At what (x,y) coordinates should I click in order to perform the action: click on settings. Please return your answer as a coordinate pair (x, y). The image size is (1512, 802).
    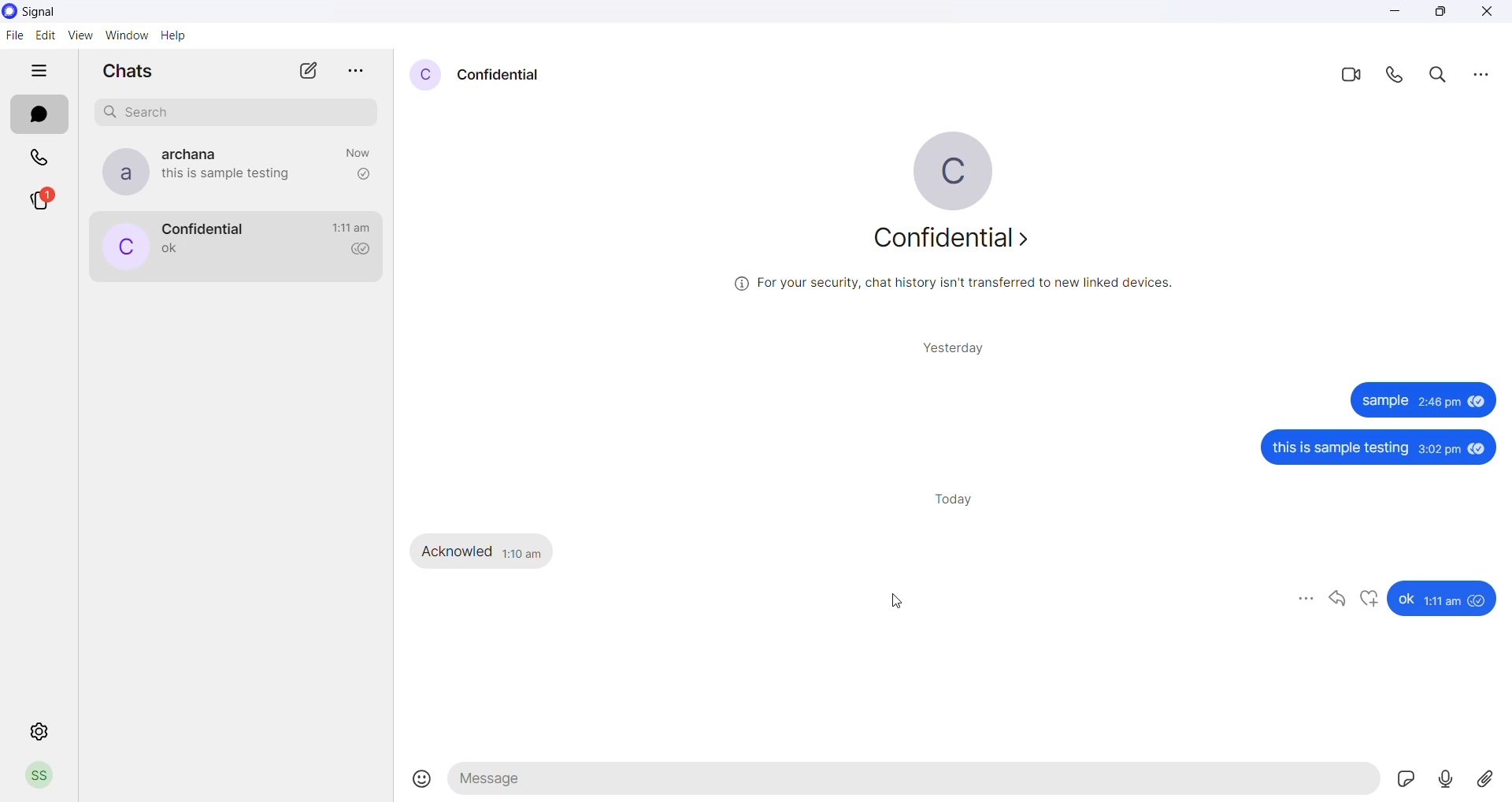
    Looking at the image, I should click on (39, 732).